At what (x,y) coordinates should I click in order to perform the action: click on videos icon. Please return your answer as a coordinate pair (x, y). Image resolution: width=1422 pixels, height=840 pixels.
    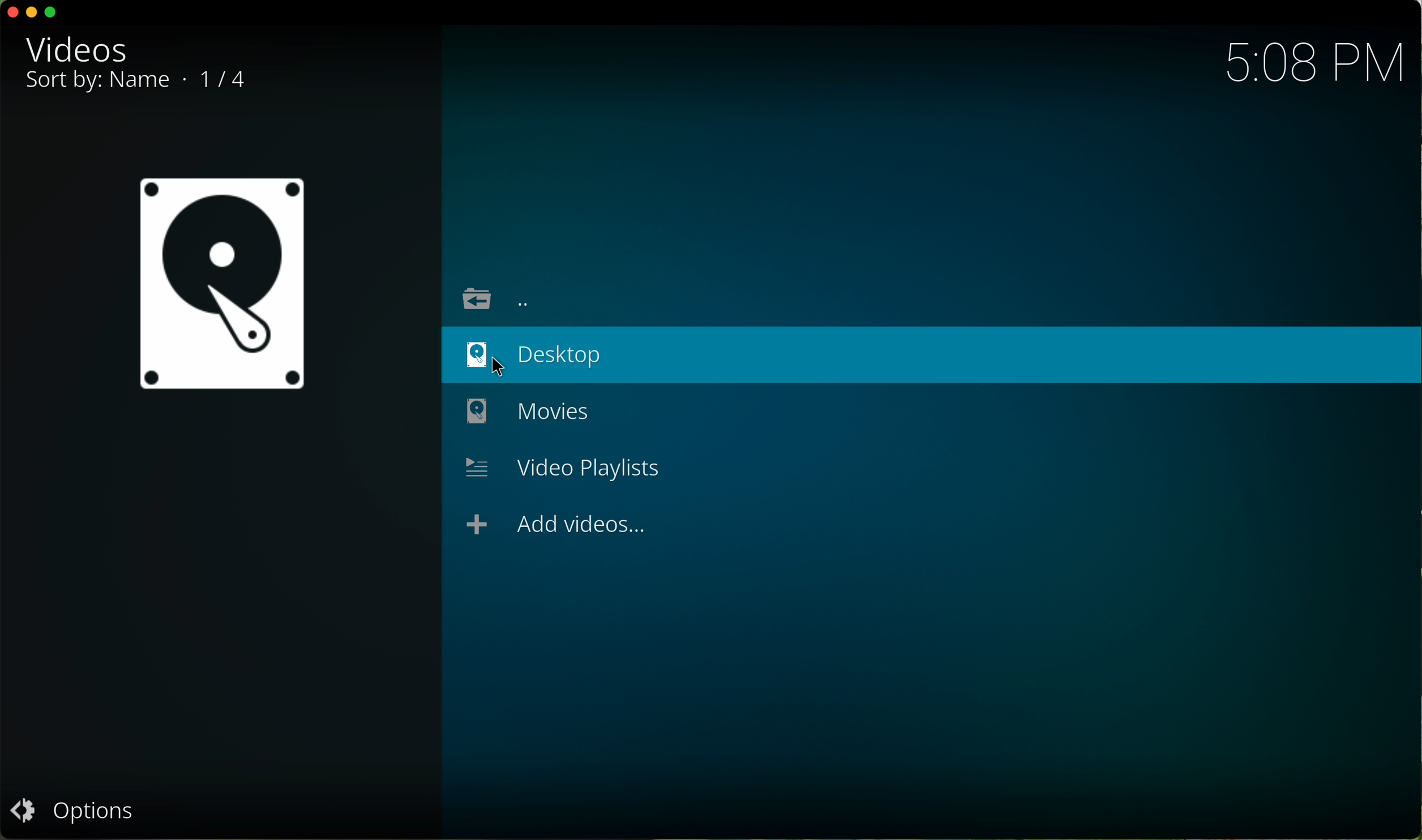
    Looking at the image, I should click on (222, 283).